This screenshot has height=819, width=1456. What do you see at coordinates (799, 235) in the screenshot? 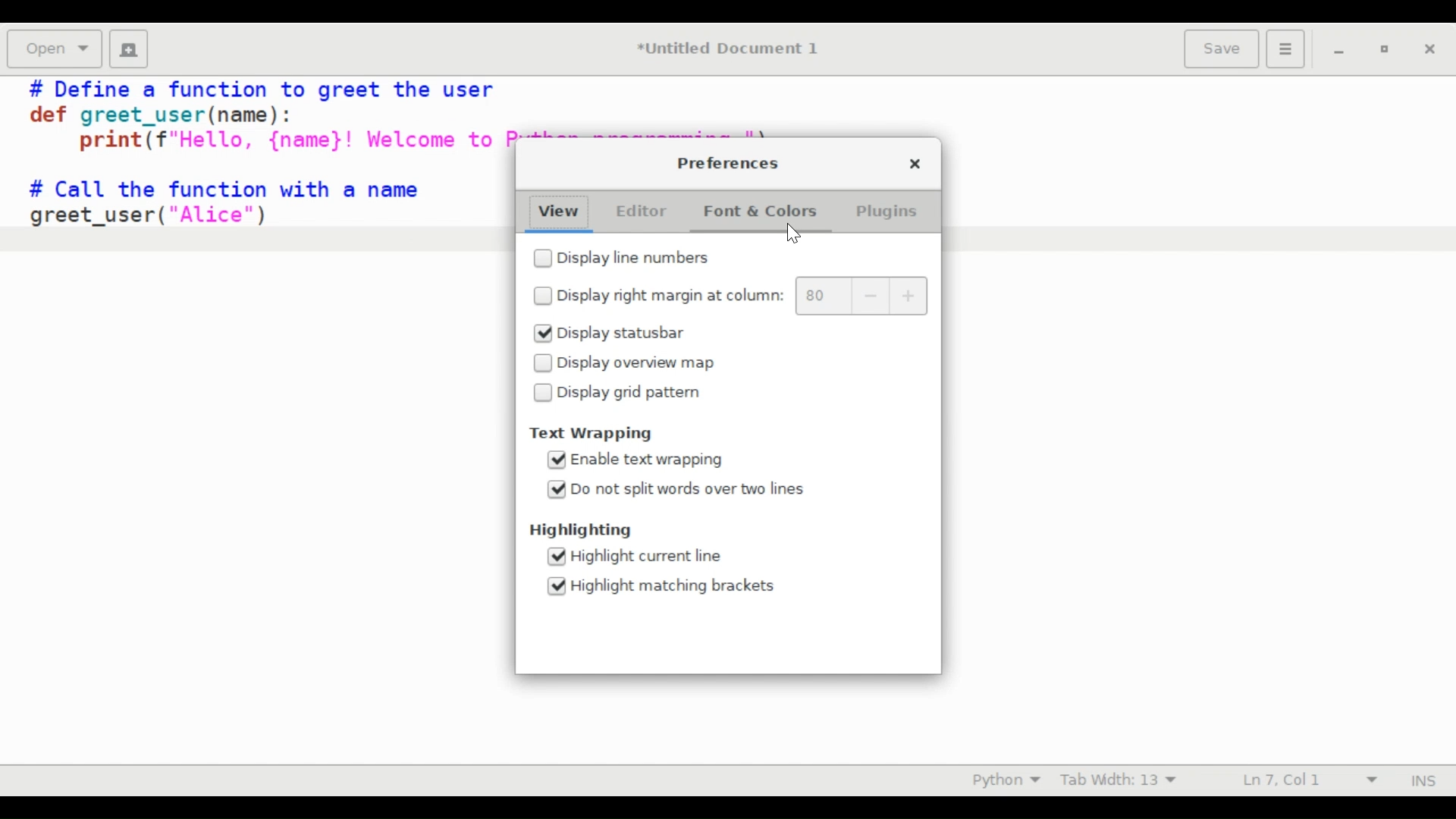
I see `Cursor` at bounding box center [799, 235].